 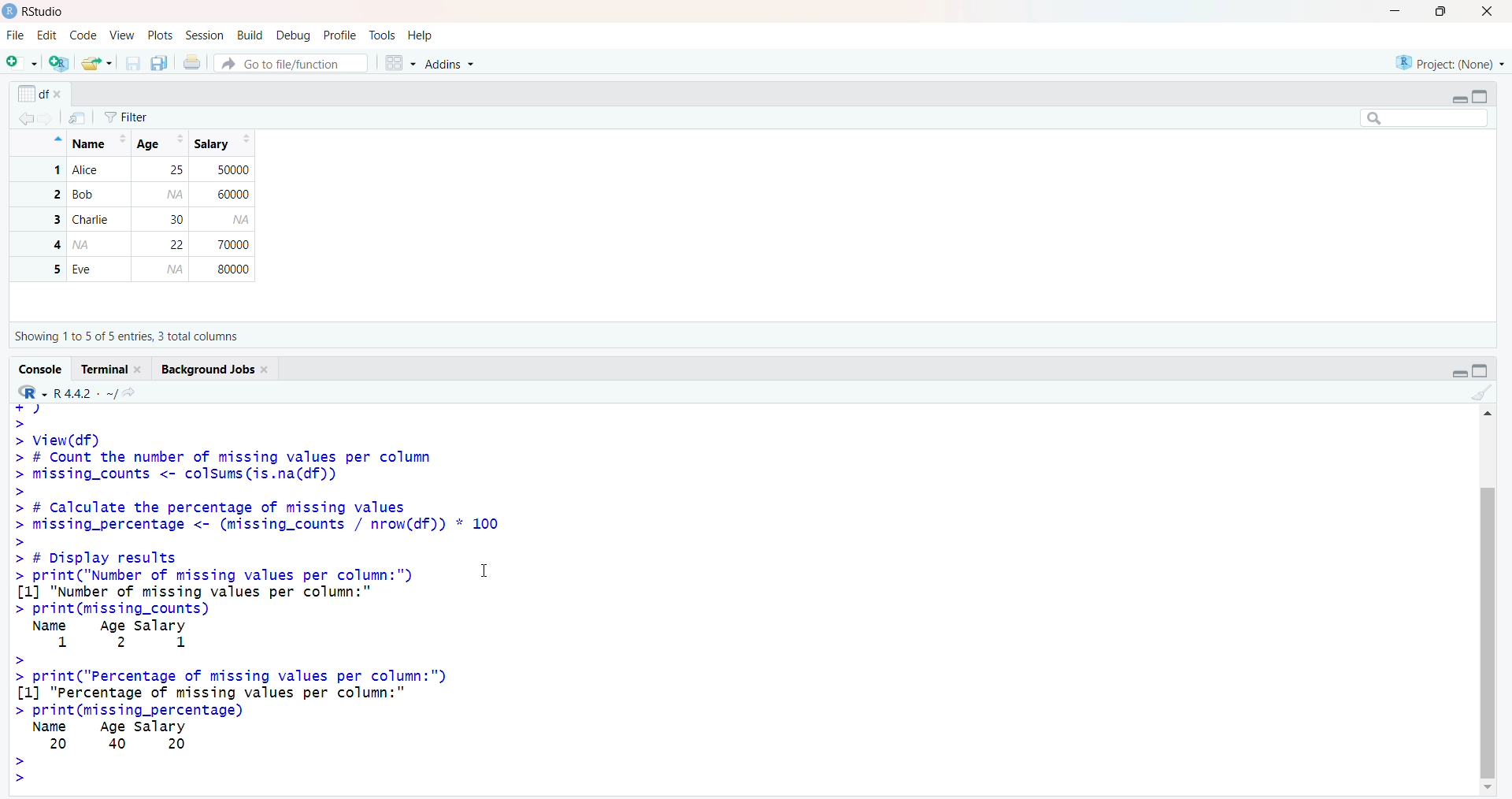 I want to click on +7
>
> View(df)
> # Count the number of missing values per column
> missing_counts <- colsums(is.na(df))
>
> # Calculate the percentage of missing values
> missing_percentage <- (missing_counts / nrow(df)) * 100
>
> # Display results
> print("Number of missing values per column:") I
[1] "Number of missing values per column:"
> print(missing_counts)

Name Age salary

1 2 1

>
> print("Percentage of missing values per column:")
[1] "Percentage of missing values per column:"
> print(missing_percentage)

Name Age salary

20 40 20

>
>, so click(x=269, y=601).